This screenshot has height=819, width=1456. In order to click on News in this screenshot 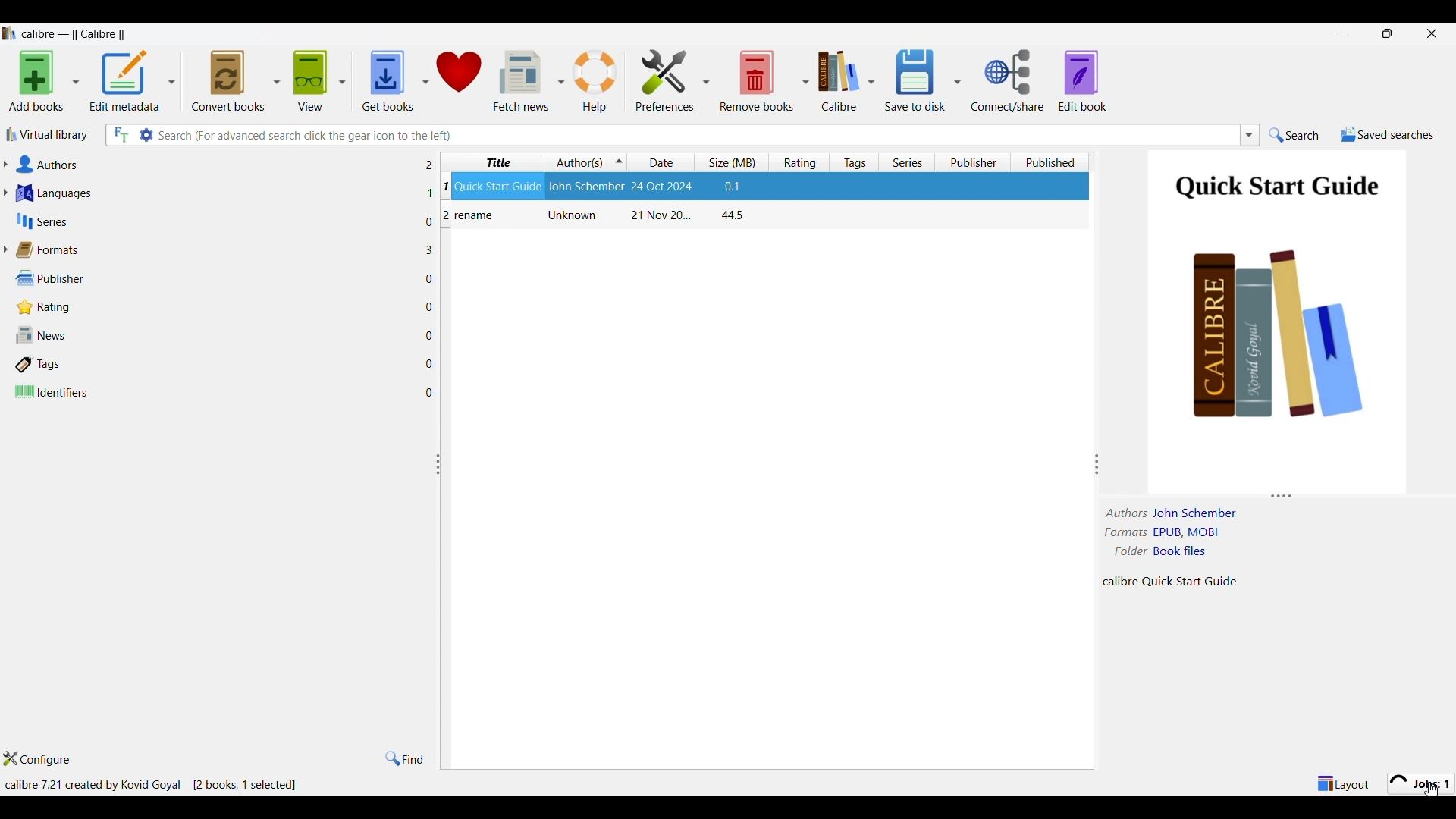, I will do `click(213, 334)`.